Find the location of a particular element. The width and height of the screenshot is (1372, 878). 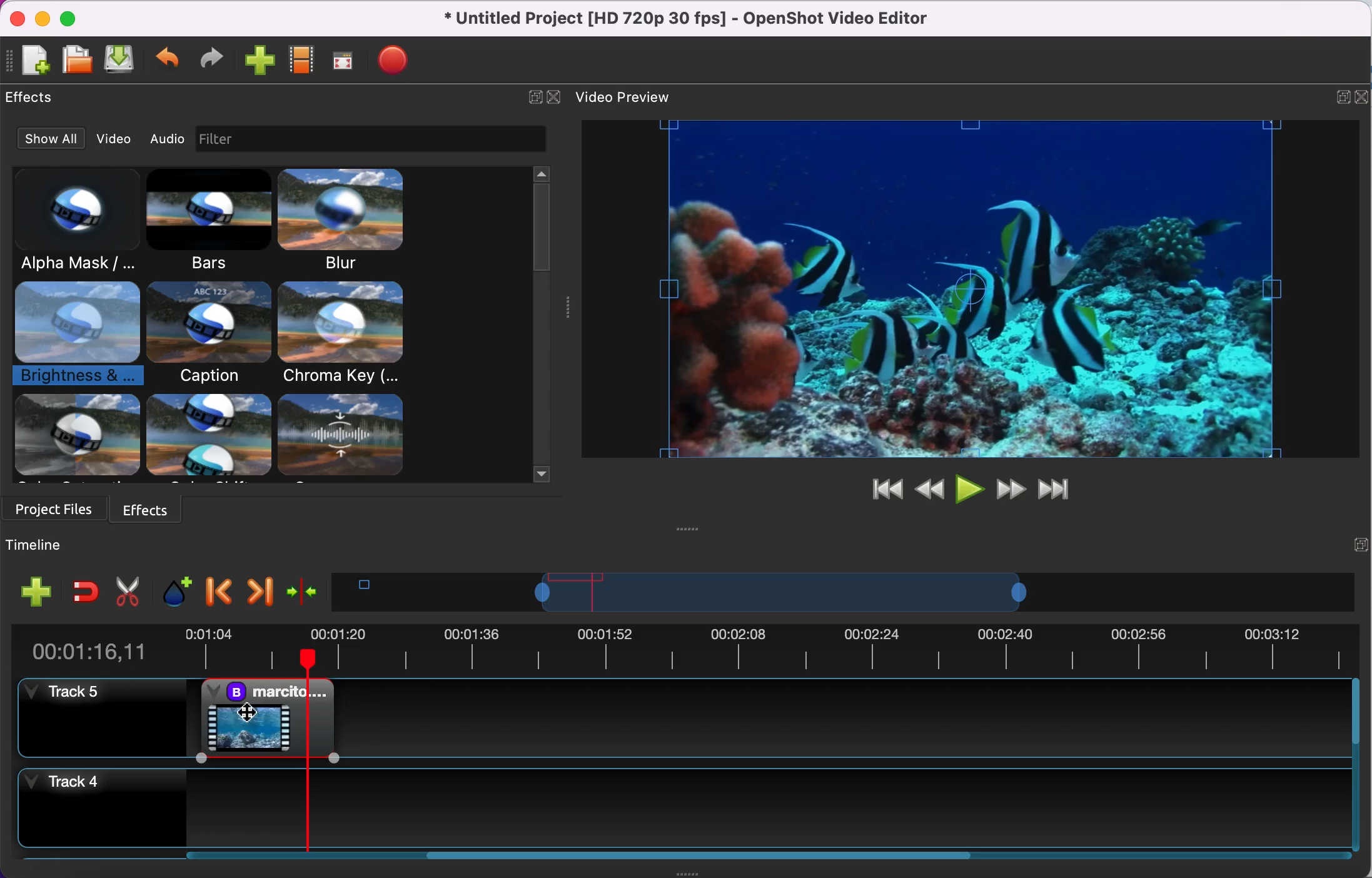

choose profile is located at coordinates (301, 61).